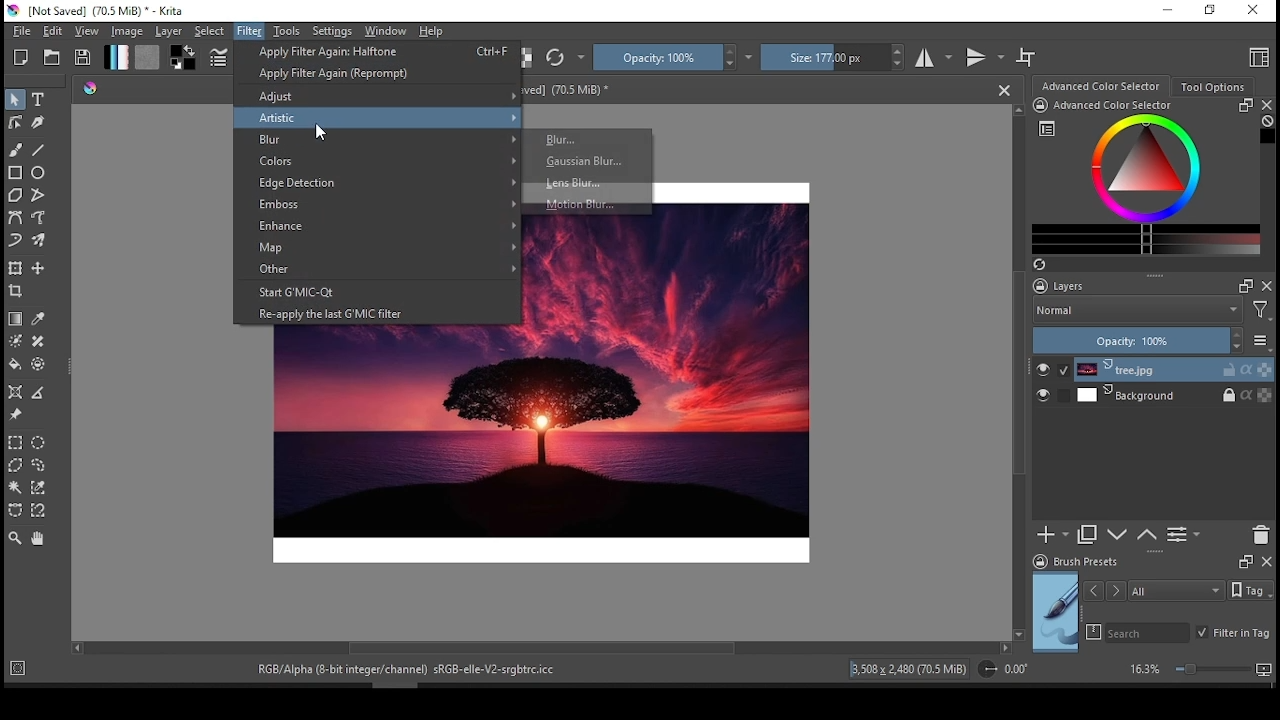 This screenshot has width=1280, height=720. Describe the element at coordinates (379, 96) in the screenshot. I see `adjust` at that location.